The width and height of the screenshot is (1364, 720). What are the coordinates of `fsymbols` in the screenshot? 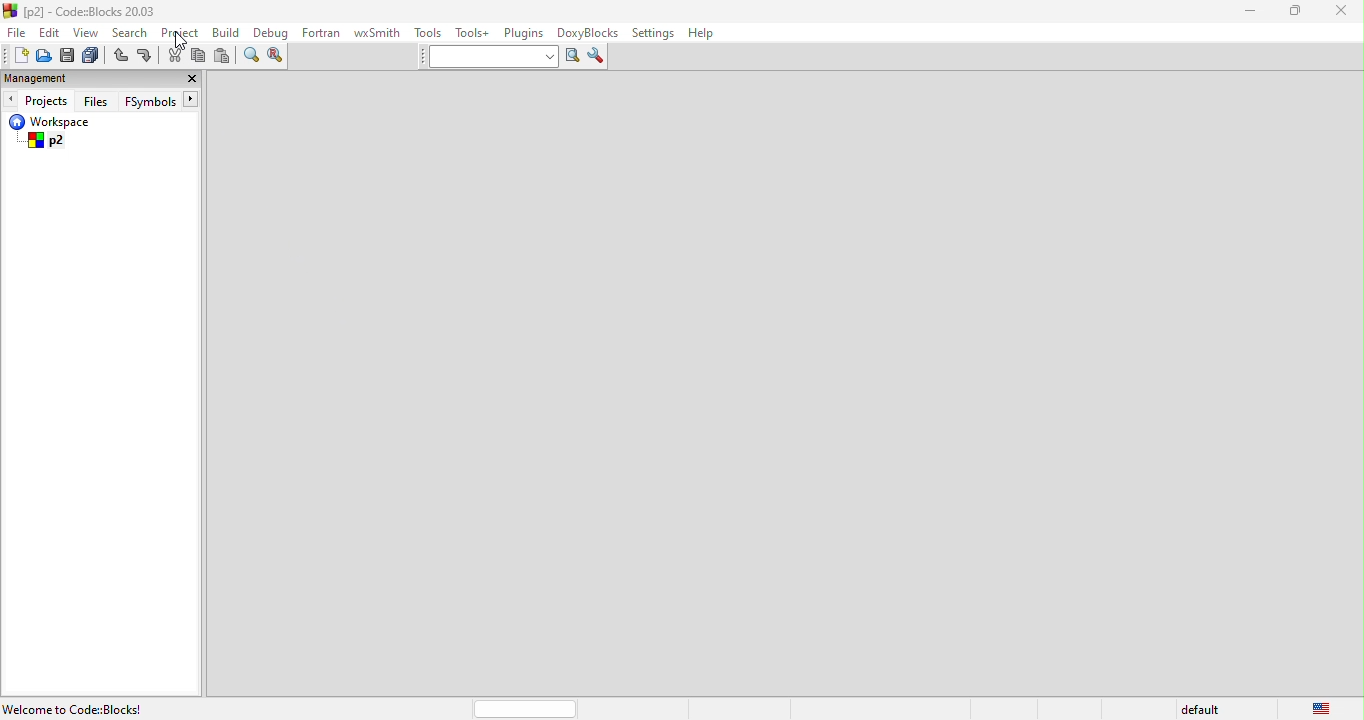 It's located at (166, 100).